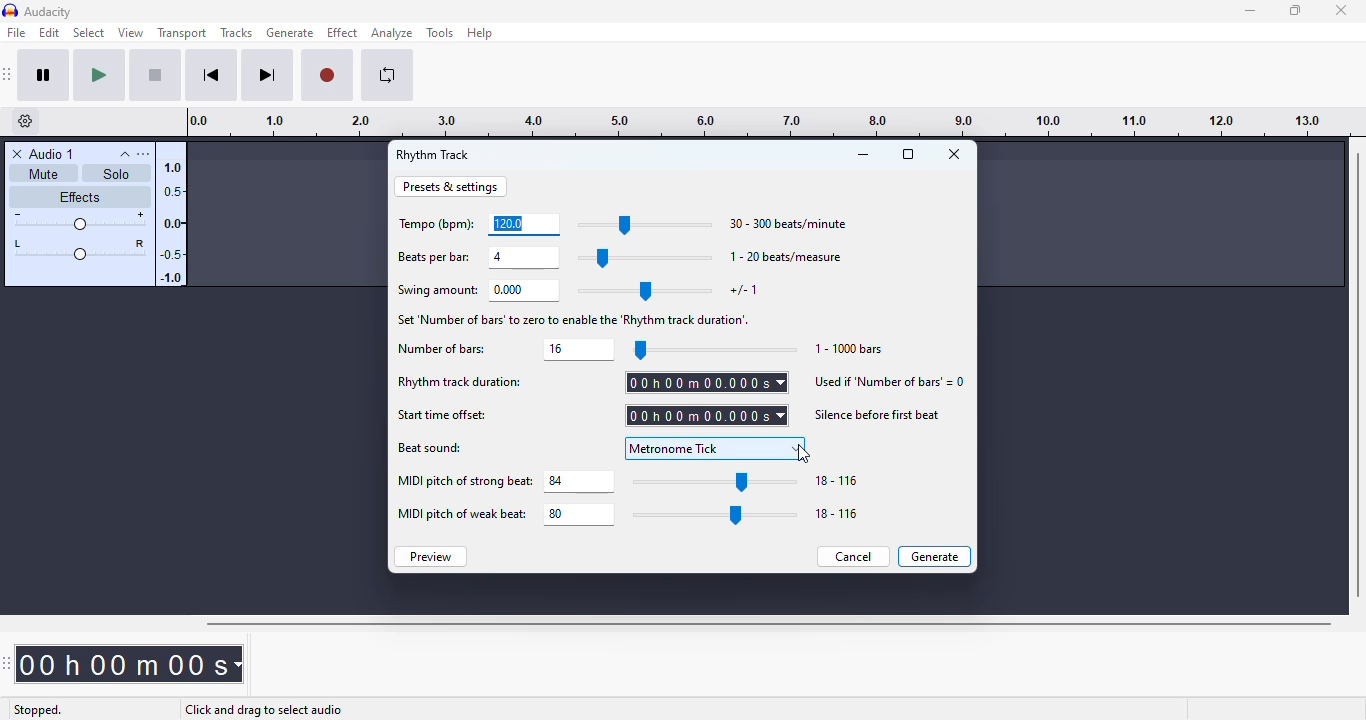 The width and height of the screenshot is (1366, 720). What do you see at coordinates (131, 32) in the screenshot?
I see `view` at bounding box center [131, 32].